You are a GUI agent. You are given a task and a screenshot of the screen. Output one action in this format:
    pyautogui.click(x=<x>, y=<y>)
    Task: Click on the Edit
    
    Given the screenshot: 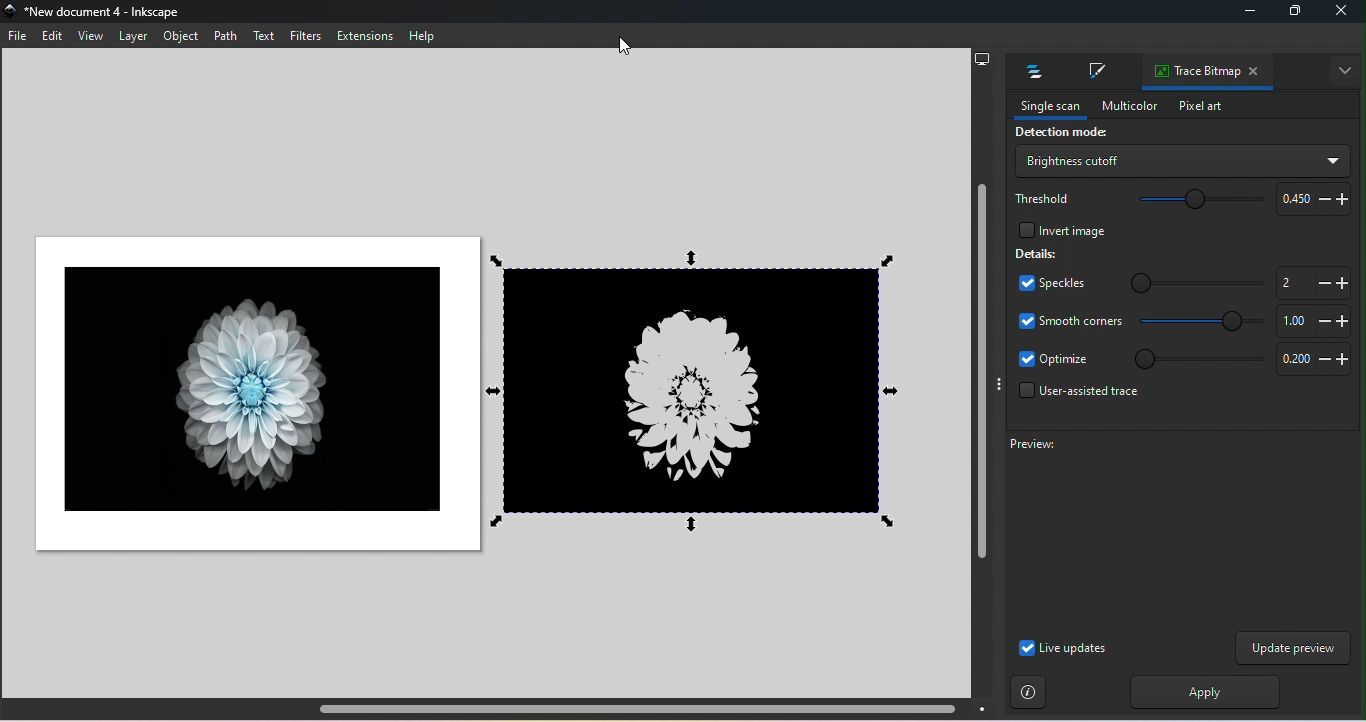 What is the action you would take?
    pyautogui.click(x=51, y=37)
    